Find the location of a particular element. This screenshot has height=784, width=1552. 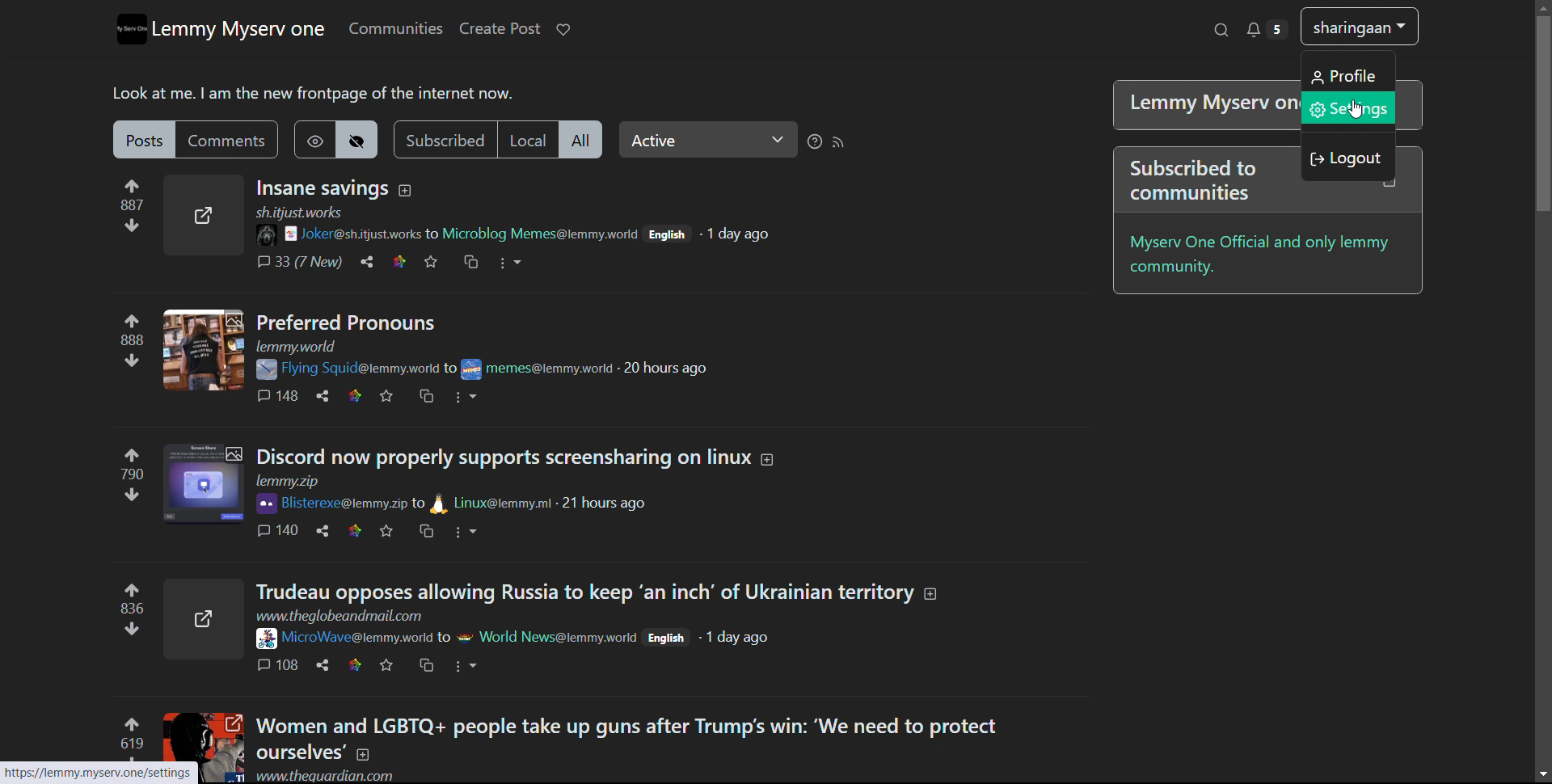

expand is located at coordinates (930, 594).